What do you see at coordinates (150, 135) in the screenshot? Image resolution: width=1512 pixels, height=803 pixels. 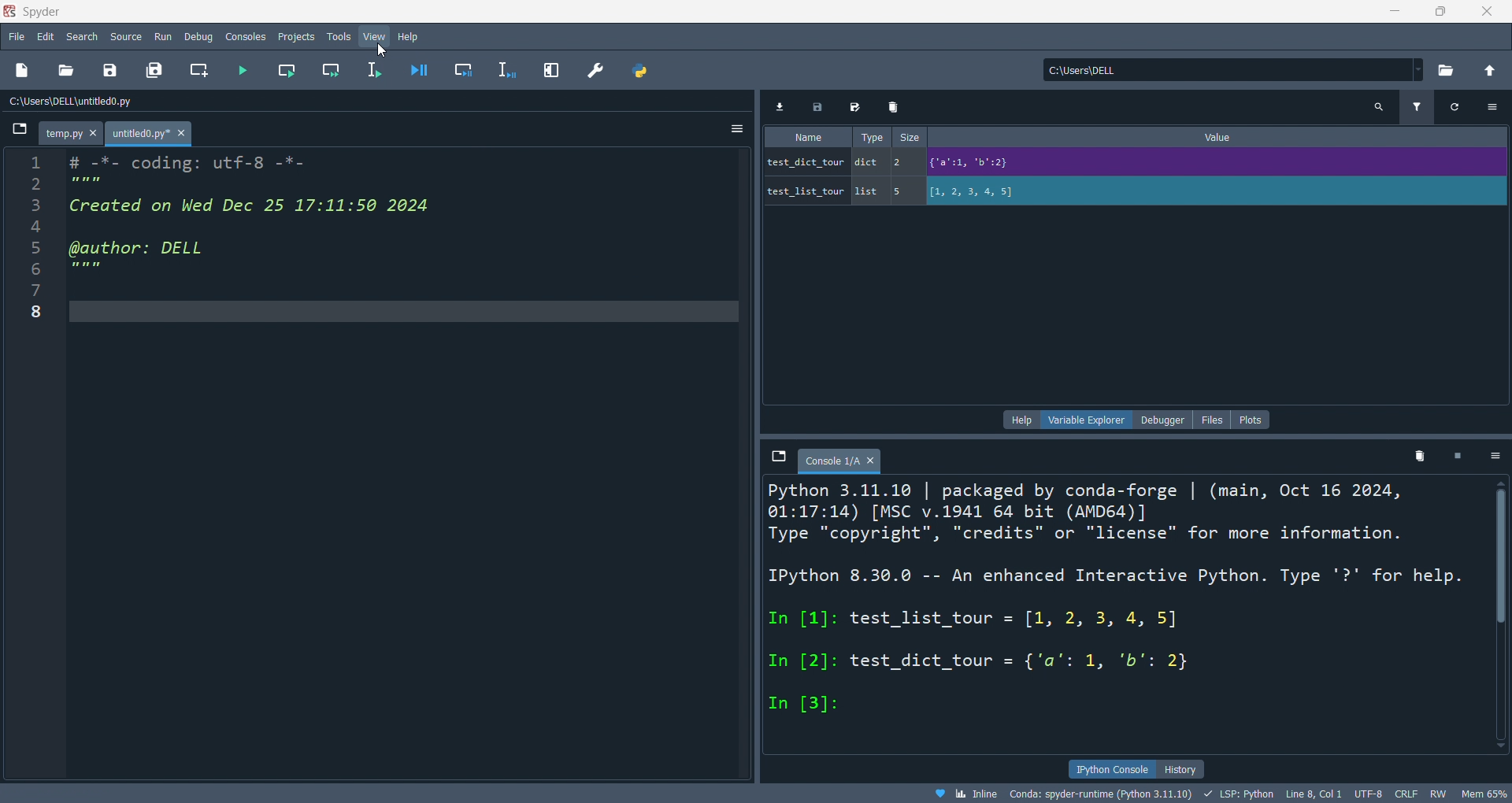 I see `tab - untitled0.py` at bounding box center [150, 135].